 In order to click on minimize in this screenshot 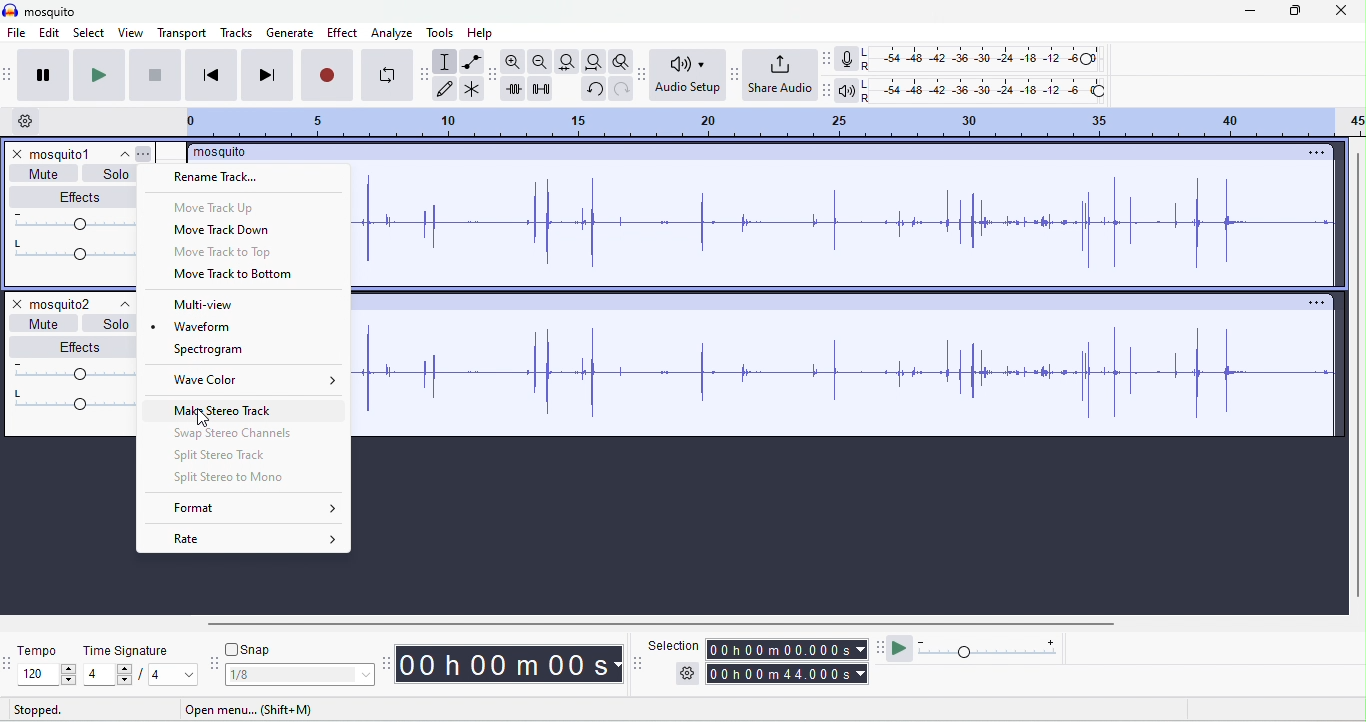, I will do `click(1246, 11)`.